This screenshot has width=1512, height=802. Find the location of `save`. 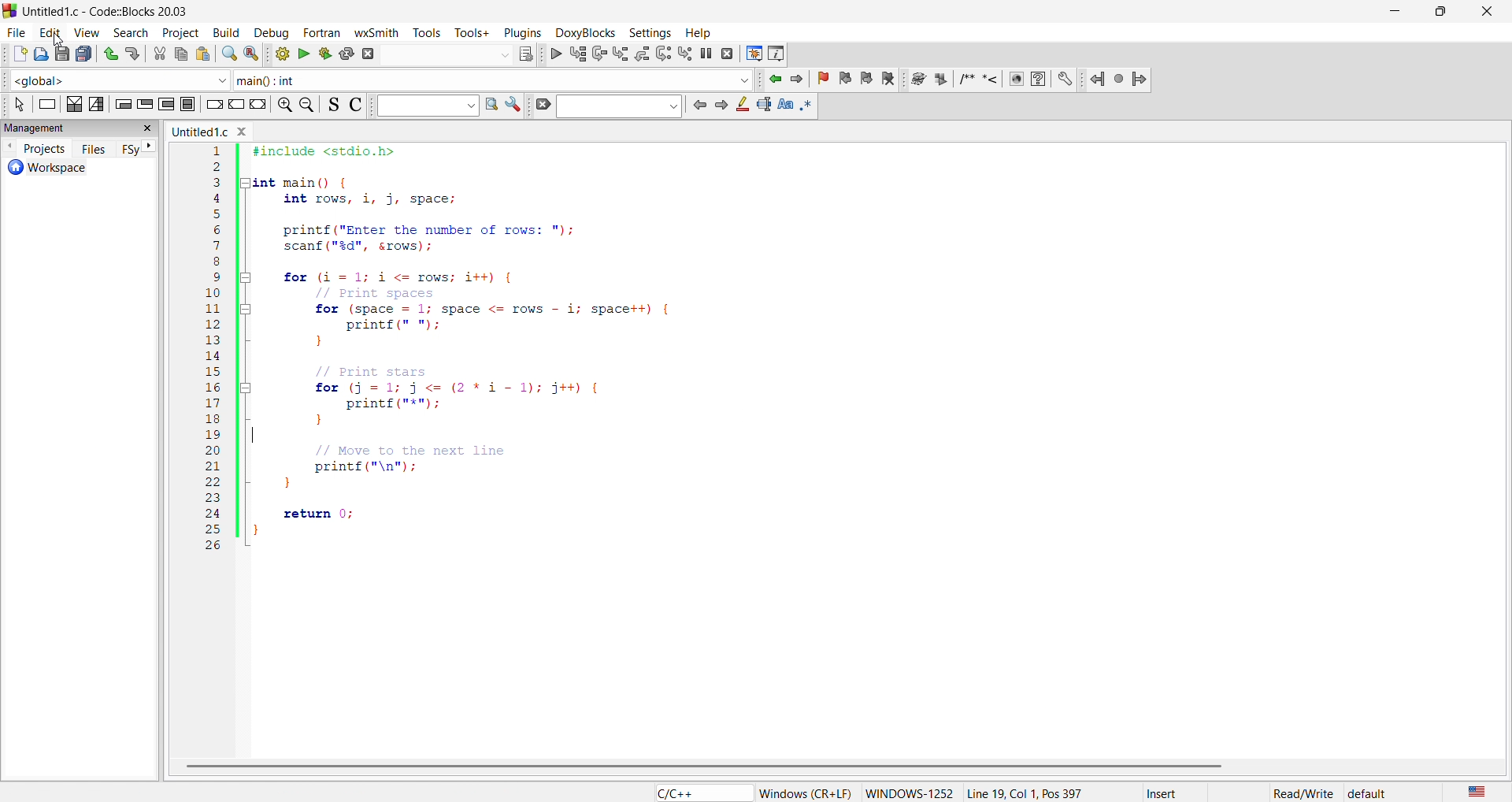

save is located at coordinates (61, 54).